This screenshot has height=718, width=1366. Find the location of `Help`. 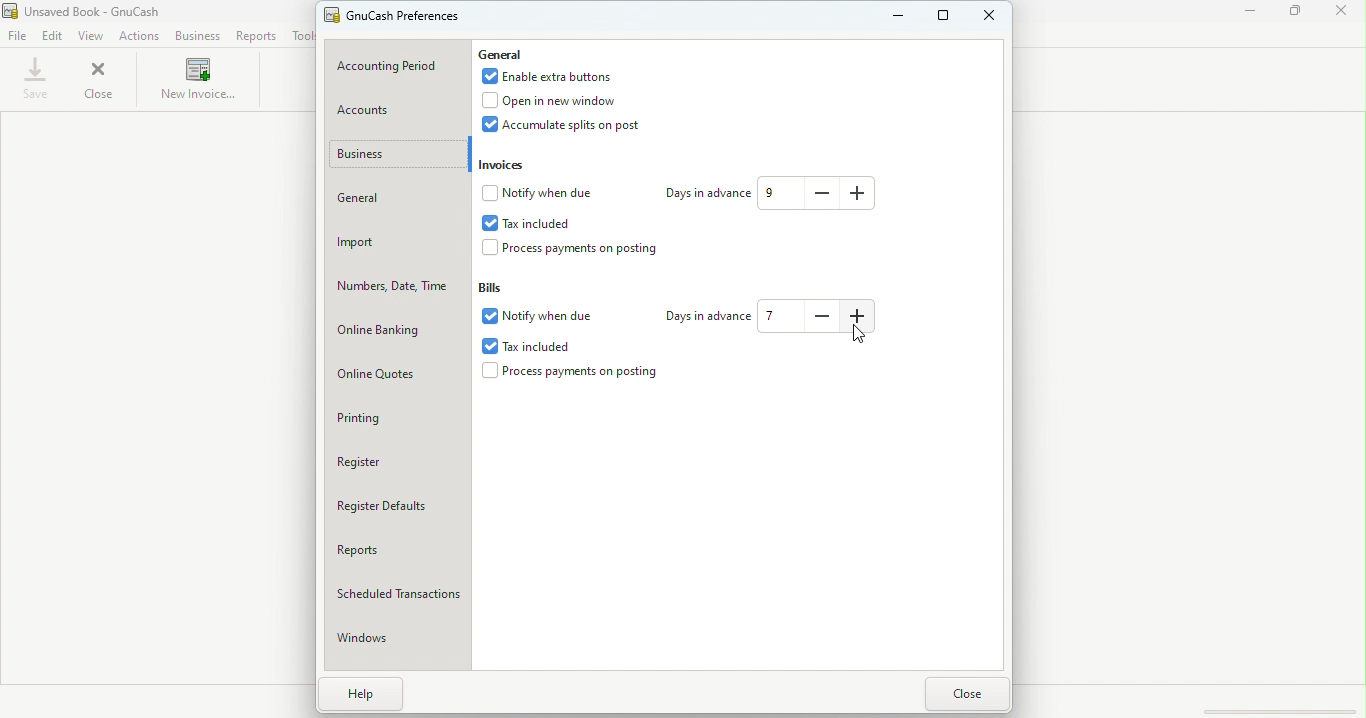

Help is located at coordinates (355, 693).